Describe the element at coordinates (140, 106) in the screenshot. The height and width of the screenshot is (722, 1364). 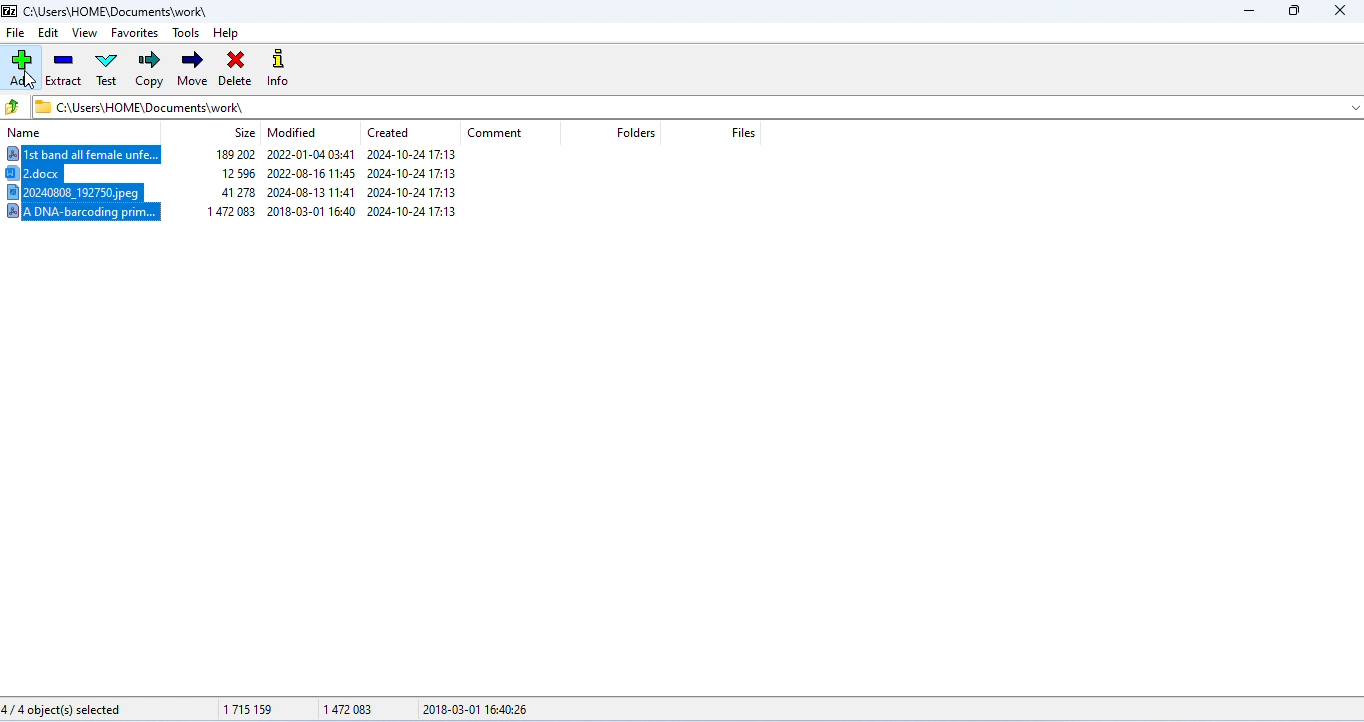
I see `CAUsers\HOME\Documents\work\` at that location.